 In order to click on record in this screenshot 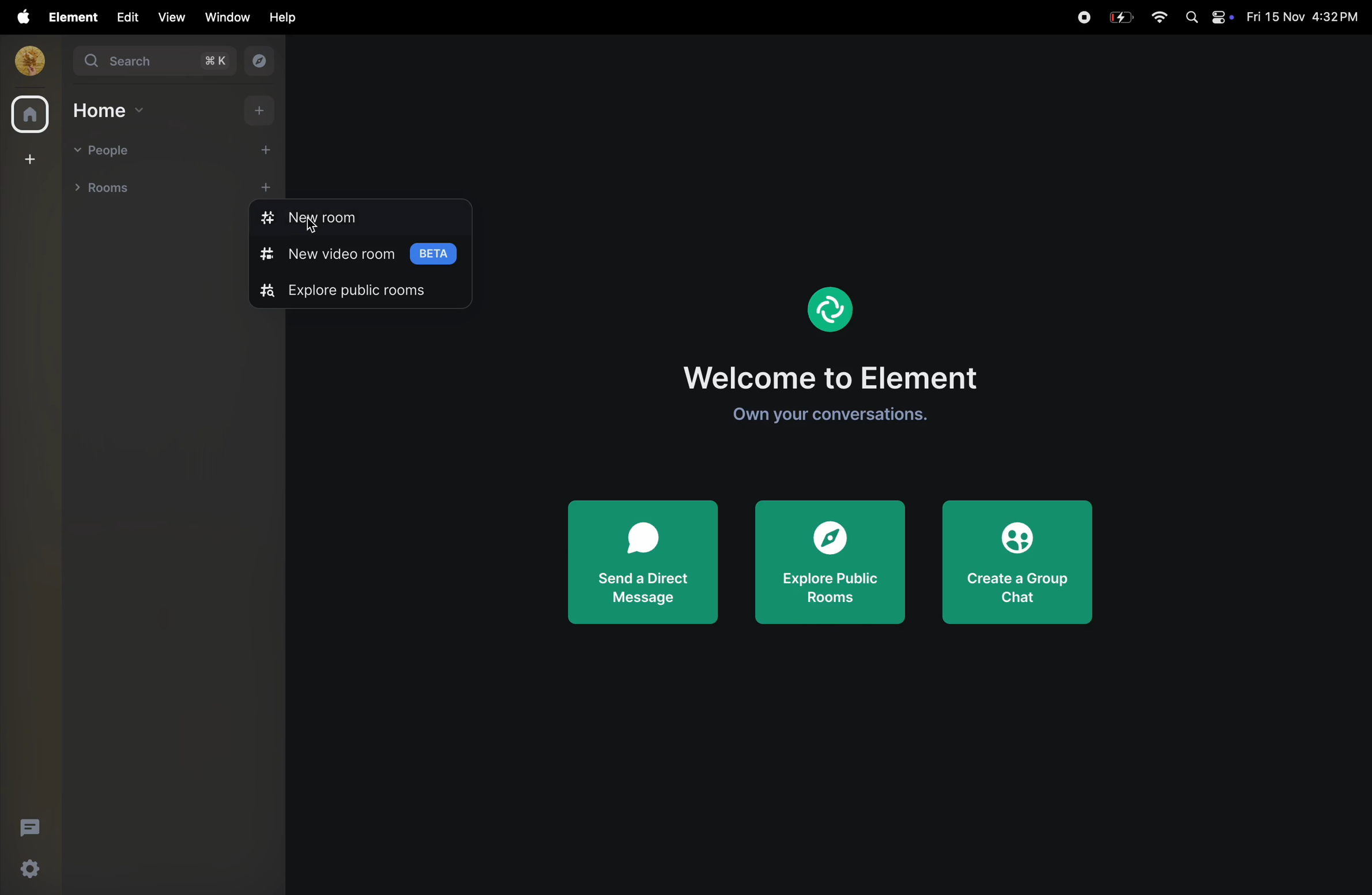, I will do `click(1083, 16)`.